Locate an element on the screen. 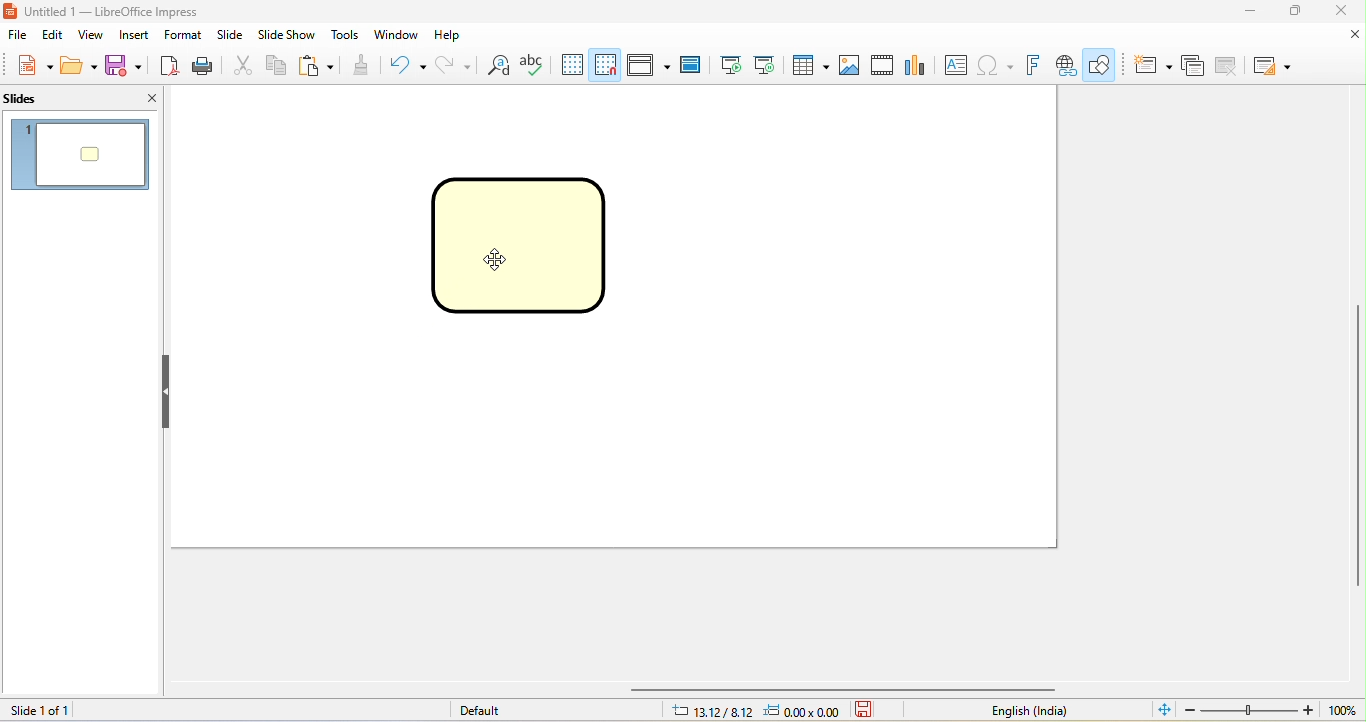 The image size is (1366, 722). print is located at coordinates (205, 64).